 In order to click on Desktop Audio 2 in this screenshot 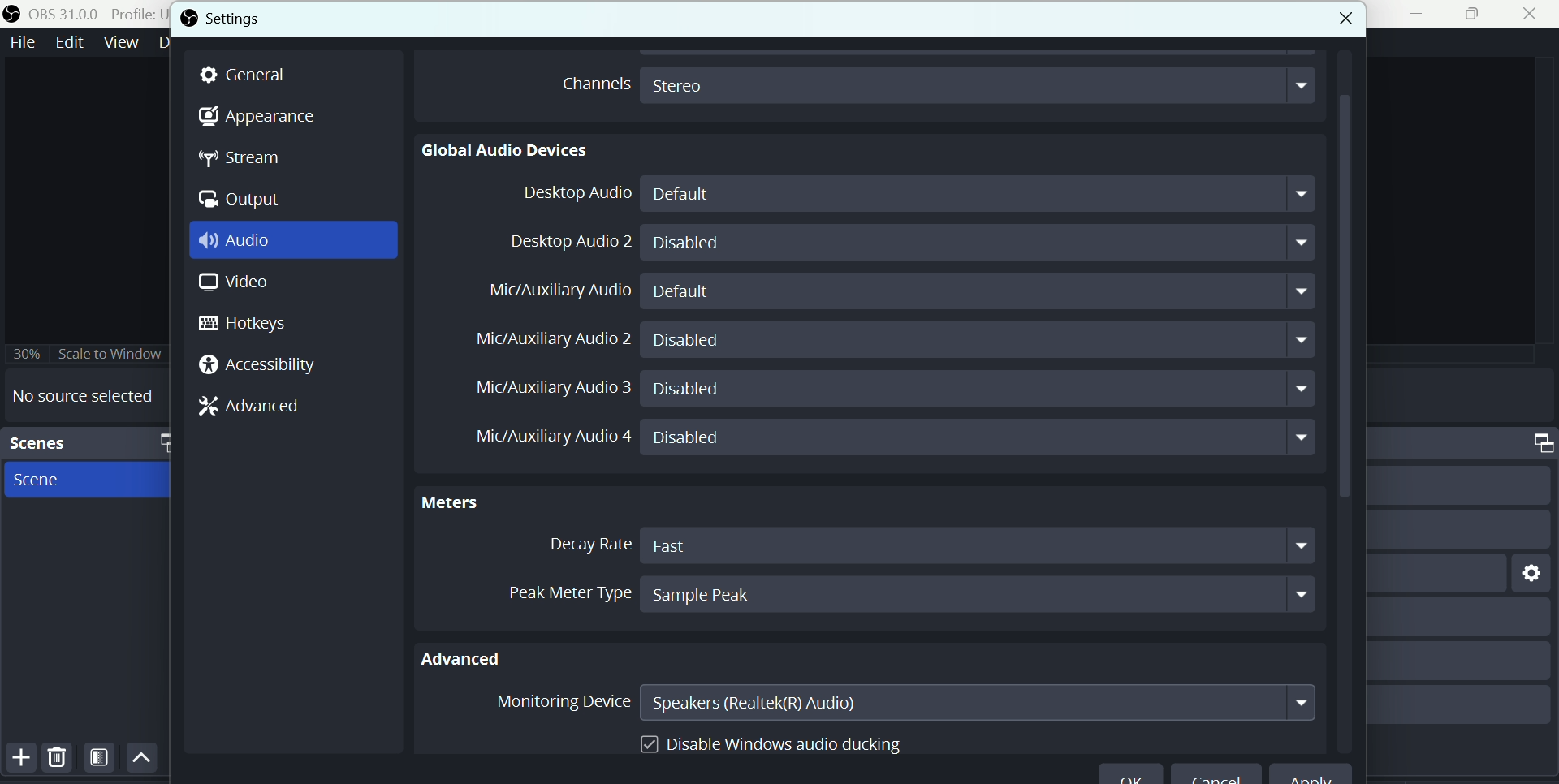, I will do `click(567, 241)`.